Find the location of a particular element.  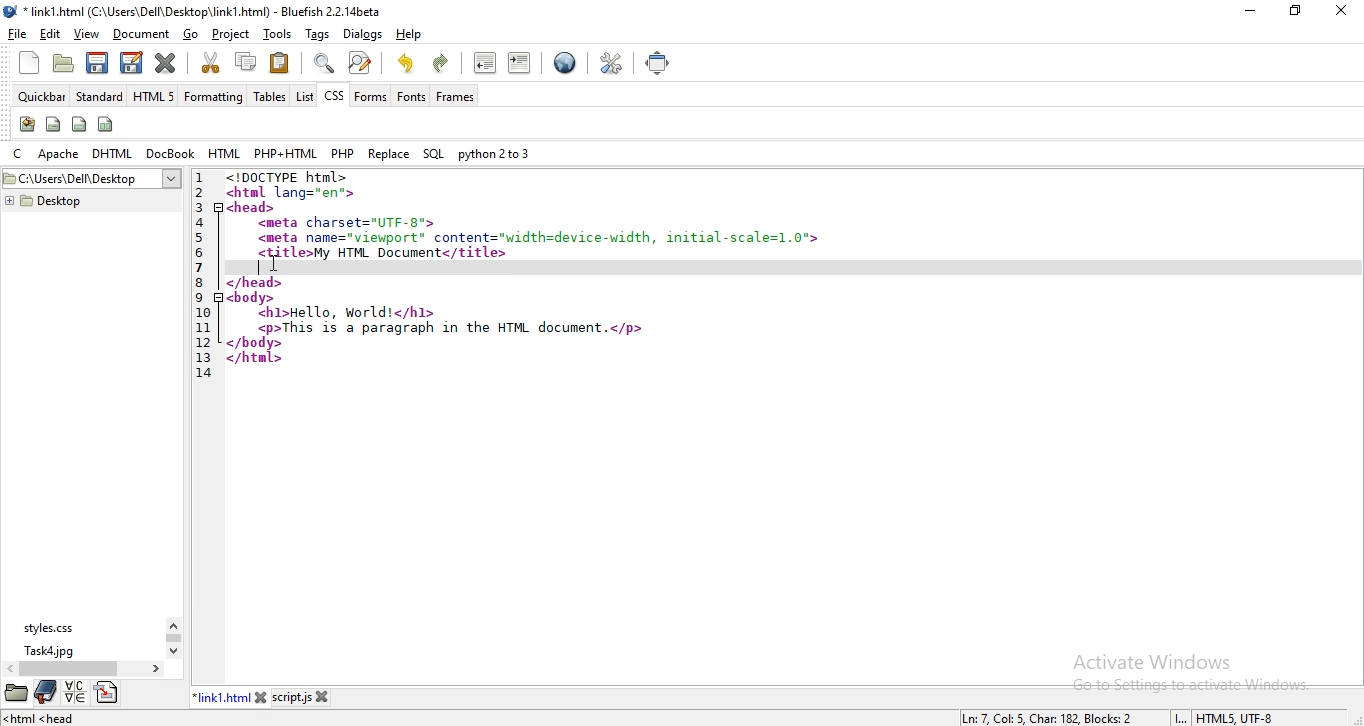

unindent is located at coordinates (486, 63).